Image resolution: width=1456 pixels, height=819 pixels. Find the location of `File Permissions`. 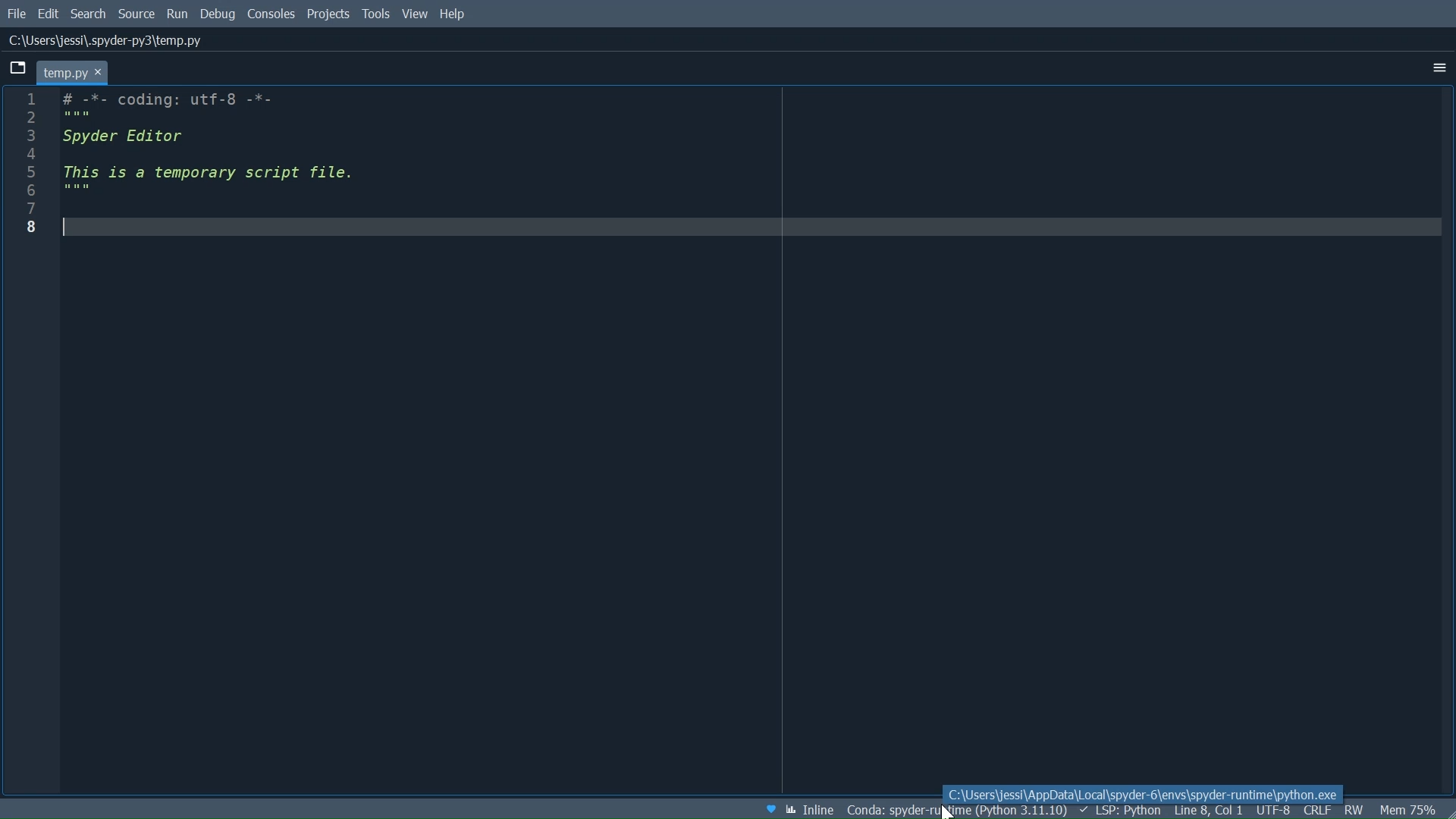

File Permissions is located at coordinates (1354, 810).